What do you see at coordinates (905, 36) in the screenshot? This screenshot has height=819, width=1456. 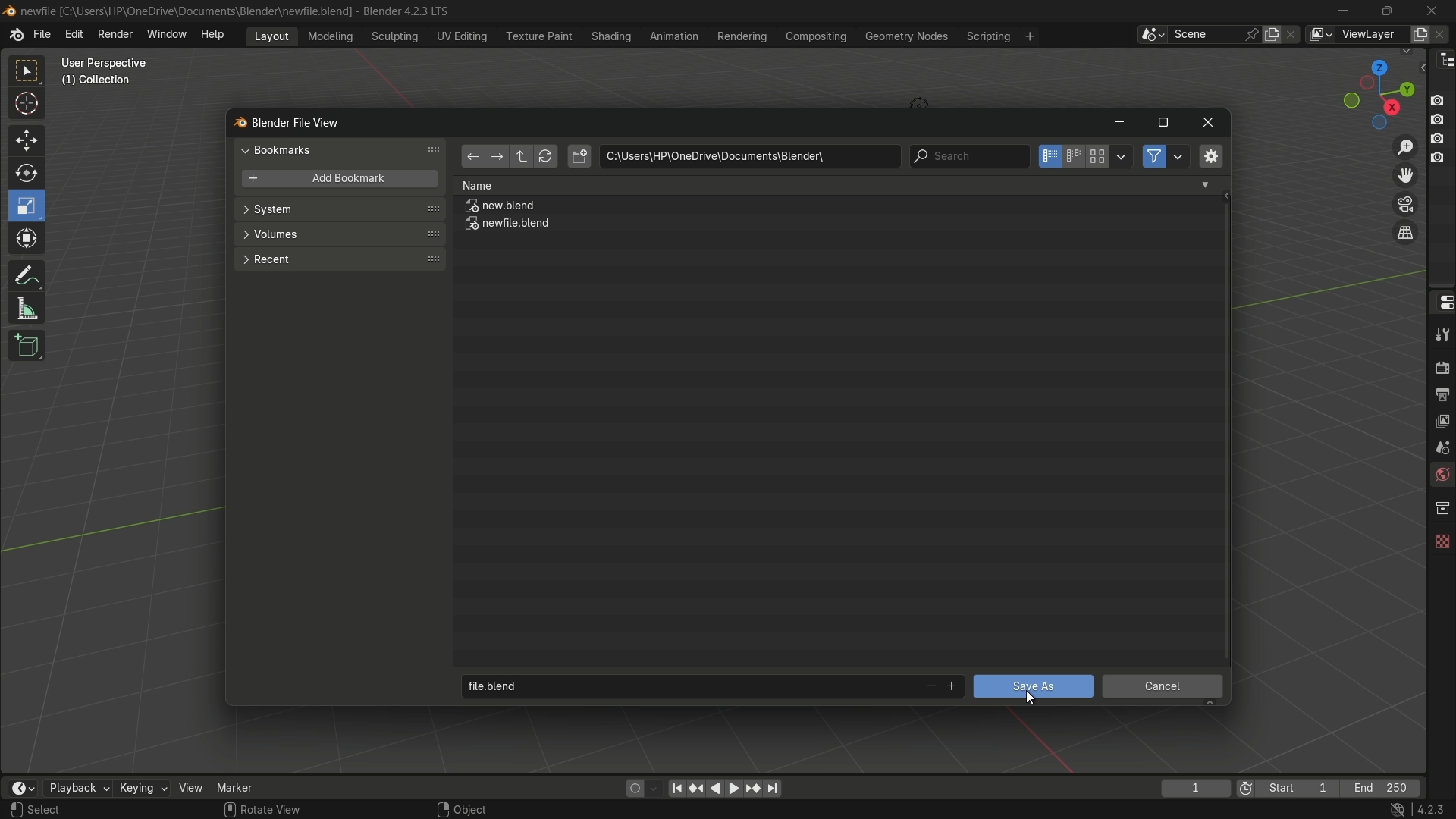 I see `geometry nodes menu` at bounding box center [905, 36].